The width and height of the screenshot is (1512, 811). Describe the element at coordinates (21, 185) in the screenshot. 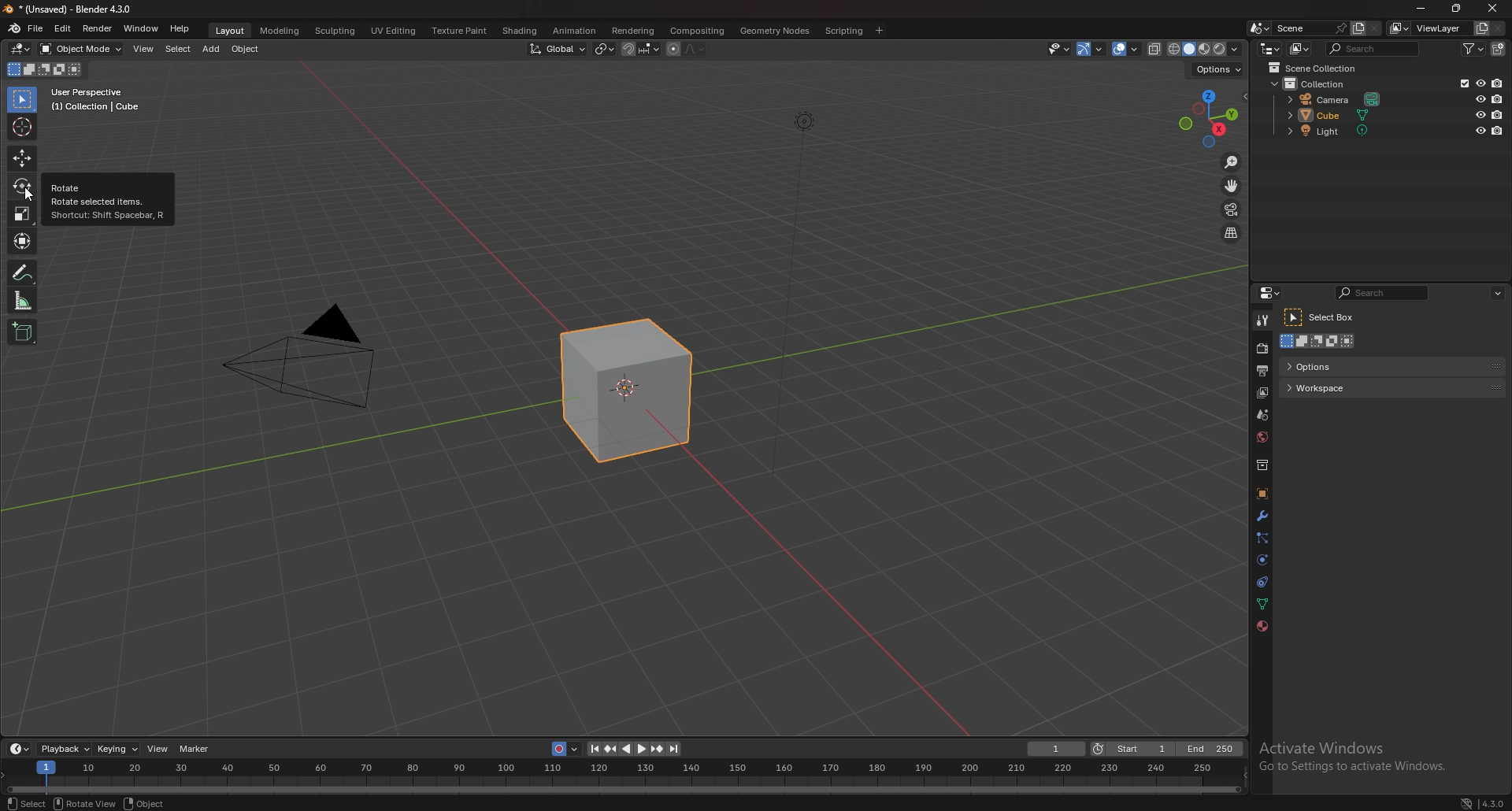

I see `rotate` at that location.